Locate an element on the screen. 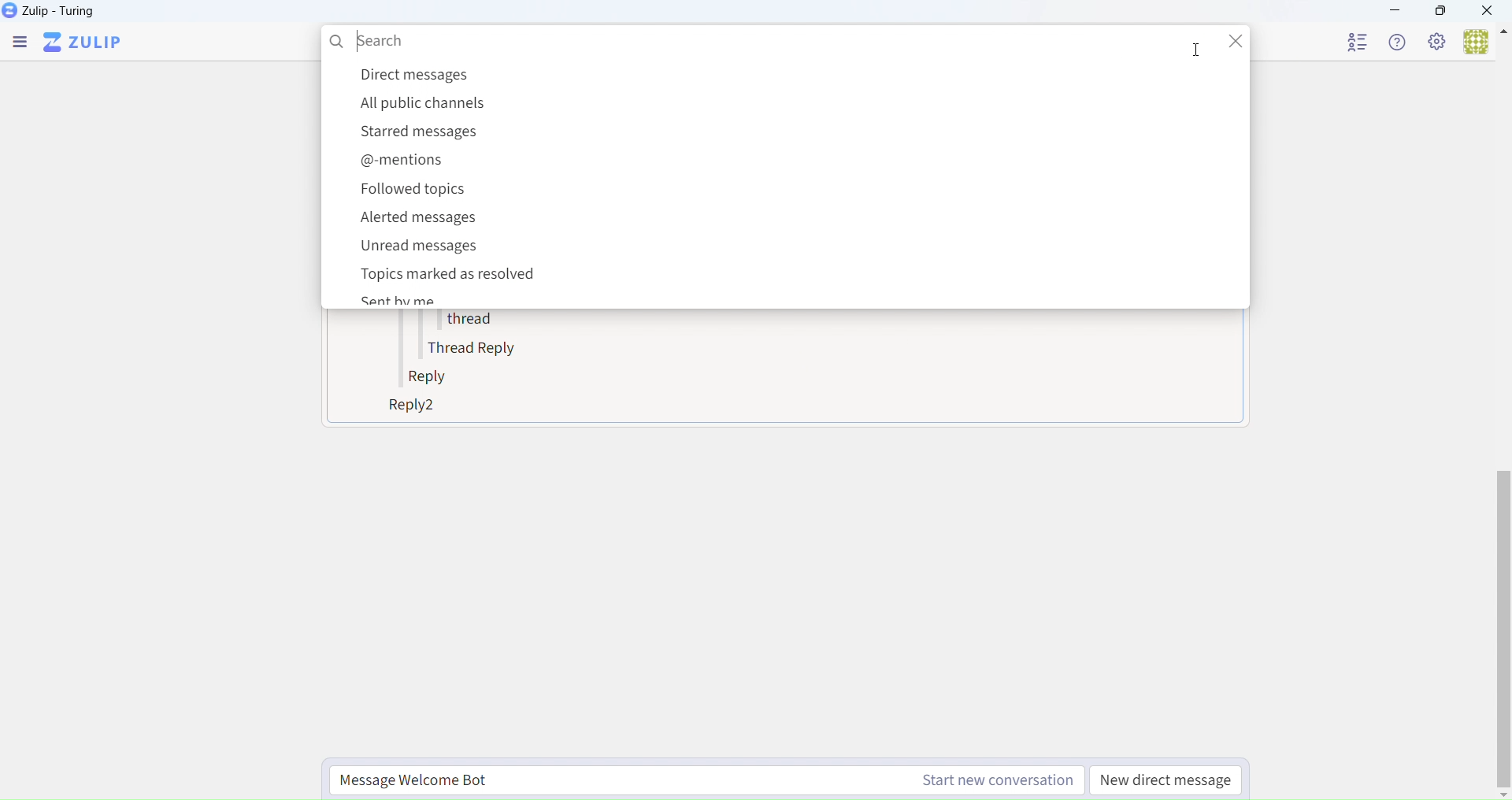  (@-mentions is located at coordinates (407, 164).